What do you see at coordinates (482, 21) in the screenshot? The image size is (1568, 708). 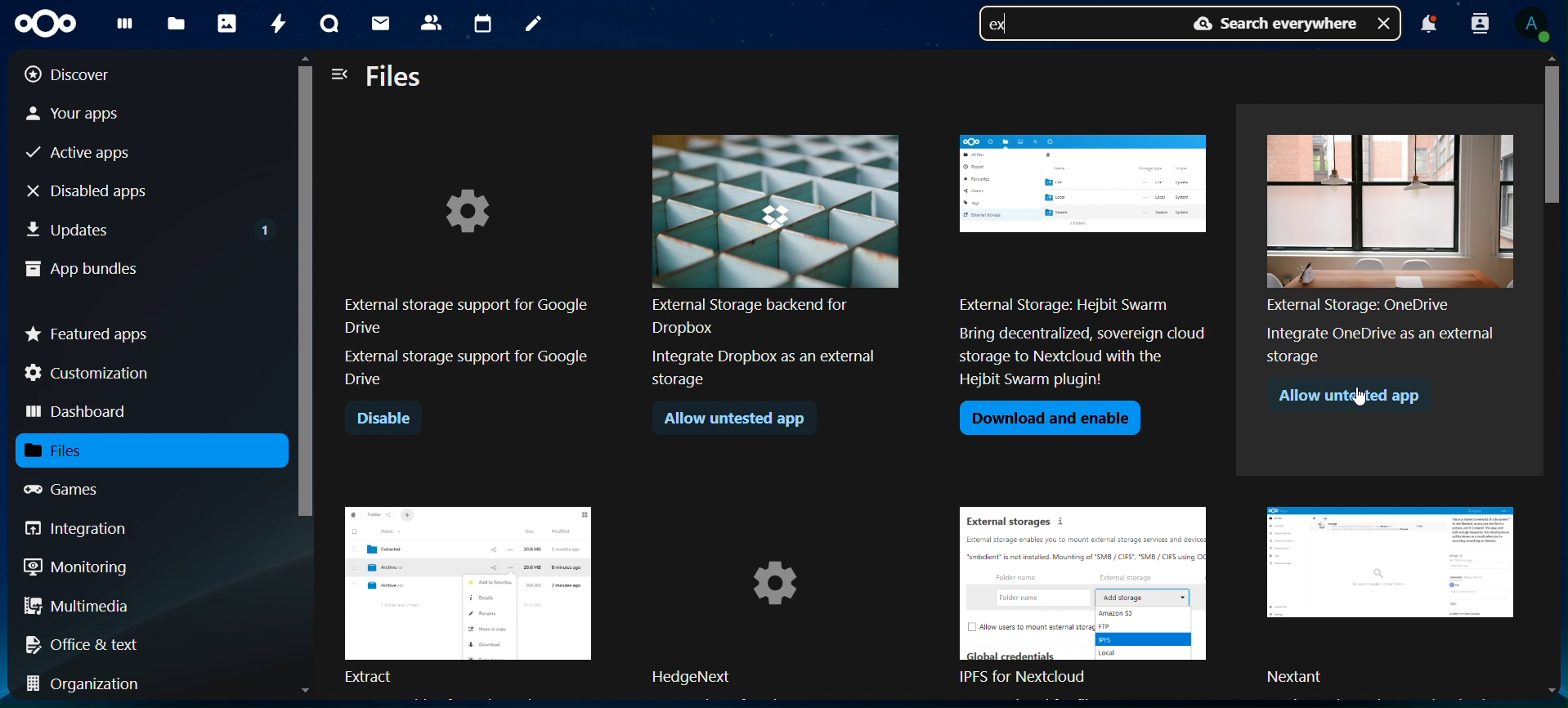 I see `calendar` at bounding box center [482, 21].